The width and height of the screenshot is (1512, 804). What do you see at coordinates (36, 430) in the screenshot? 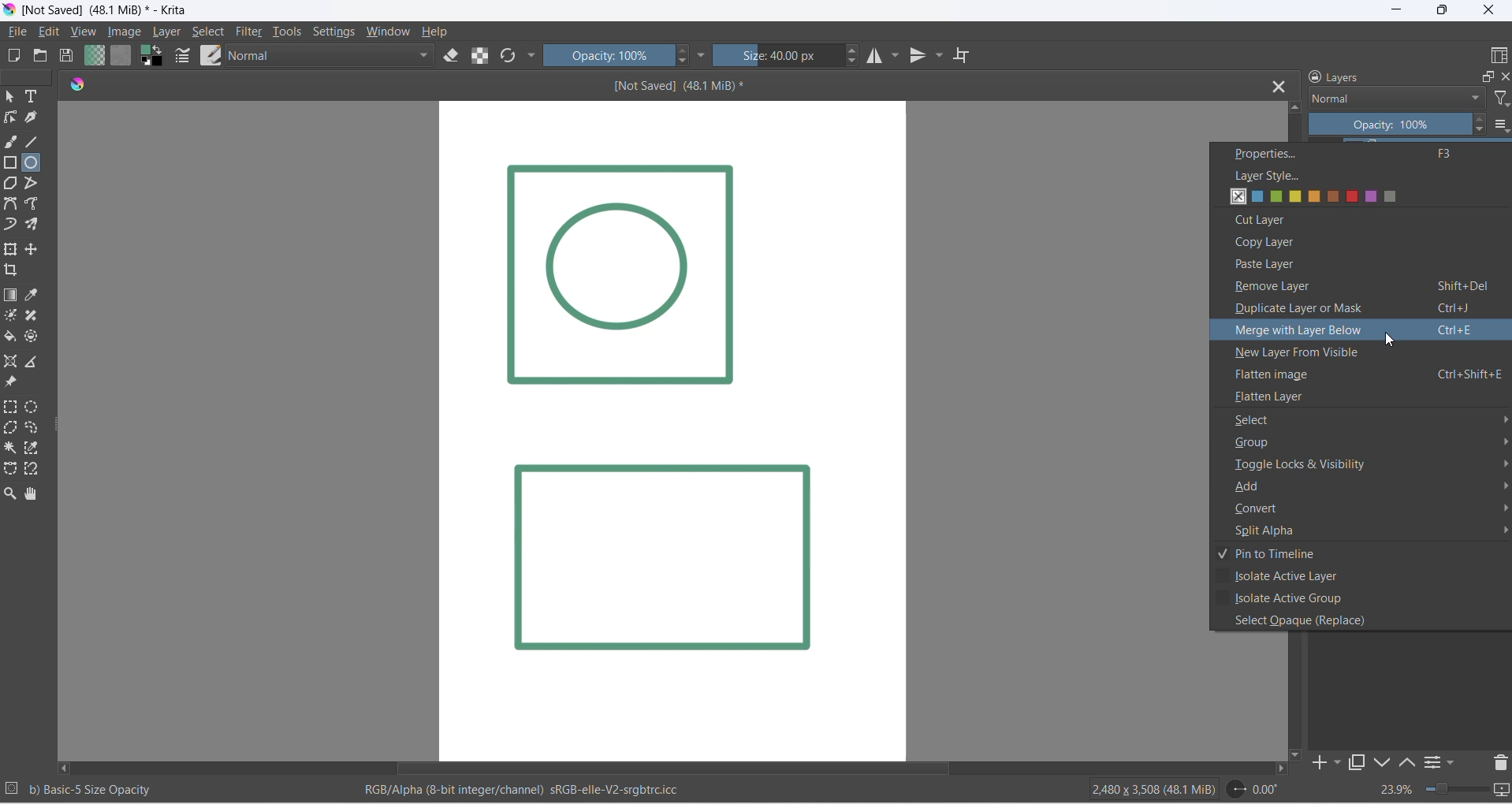
I see `curve selection tool` at bounding box center [36, 430].